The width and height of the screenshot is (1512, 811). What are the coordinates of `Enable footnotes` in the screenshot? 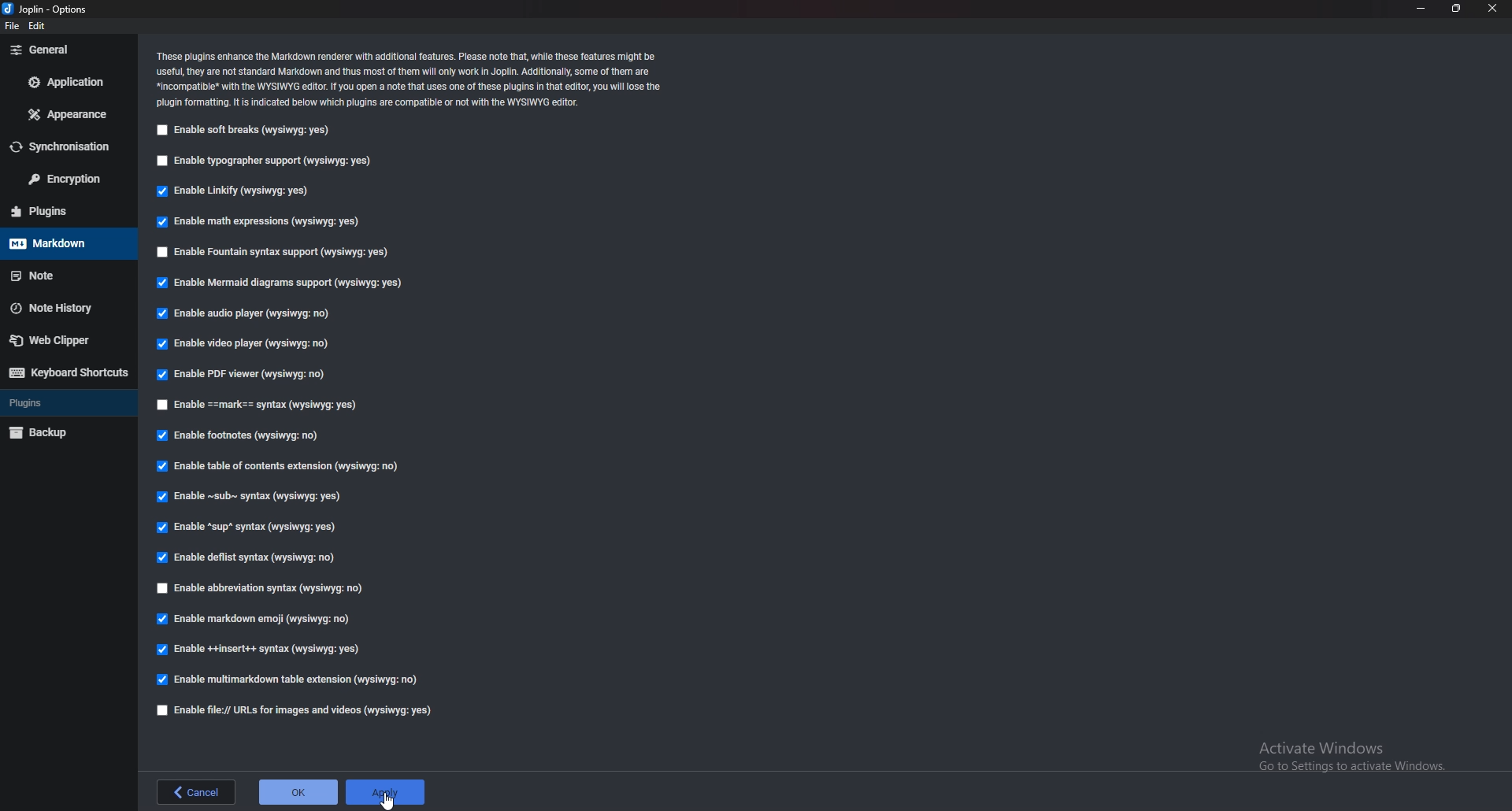 It's located at (243, 435).